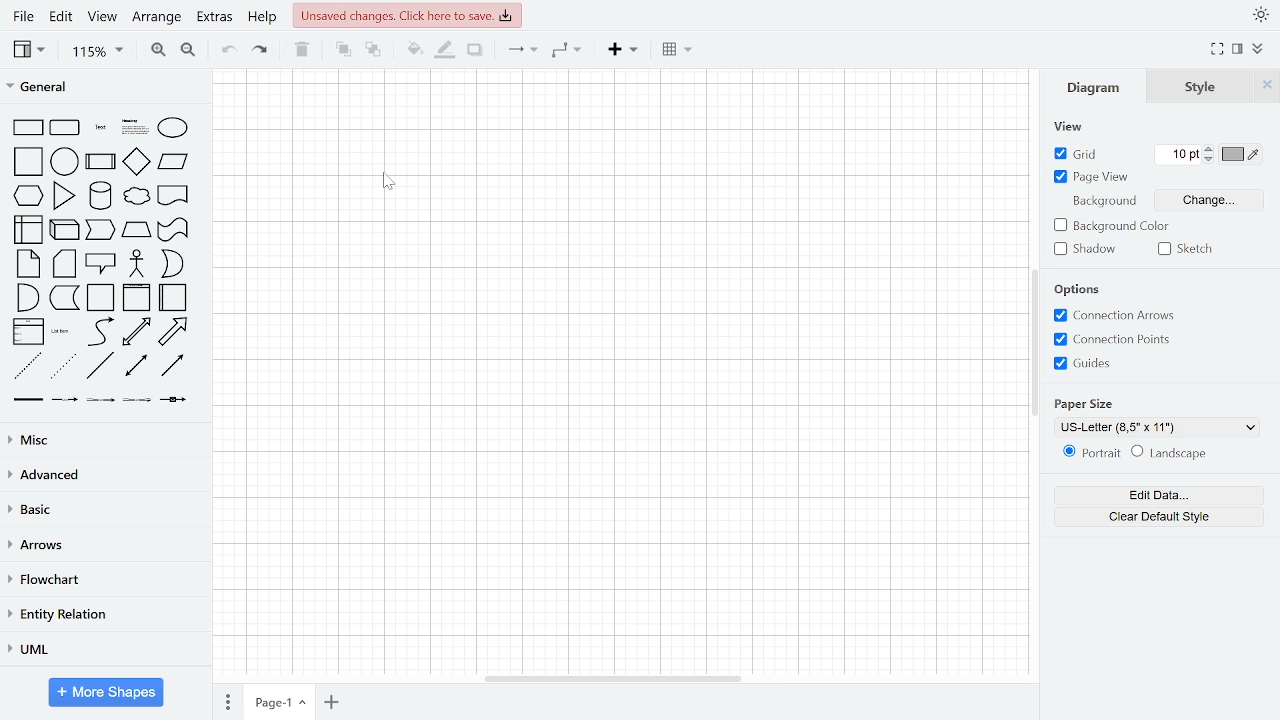 This screenshot has height=720, width=1280. What do you see at coordinates (30, 50) in the screenshot?
I see `view` at bounding box center [30, 50].